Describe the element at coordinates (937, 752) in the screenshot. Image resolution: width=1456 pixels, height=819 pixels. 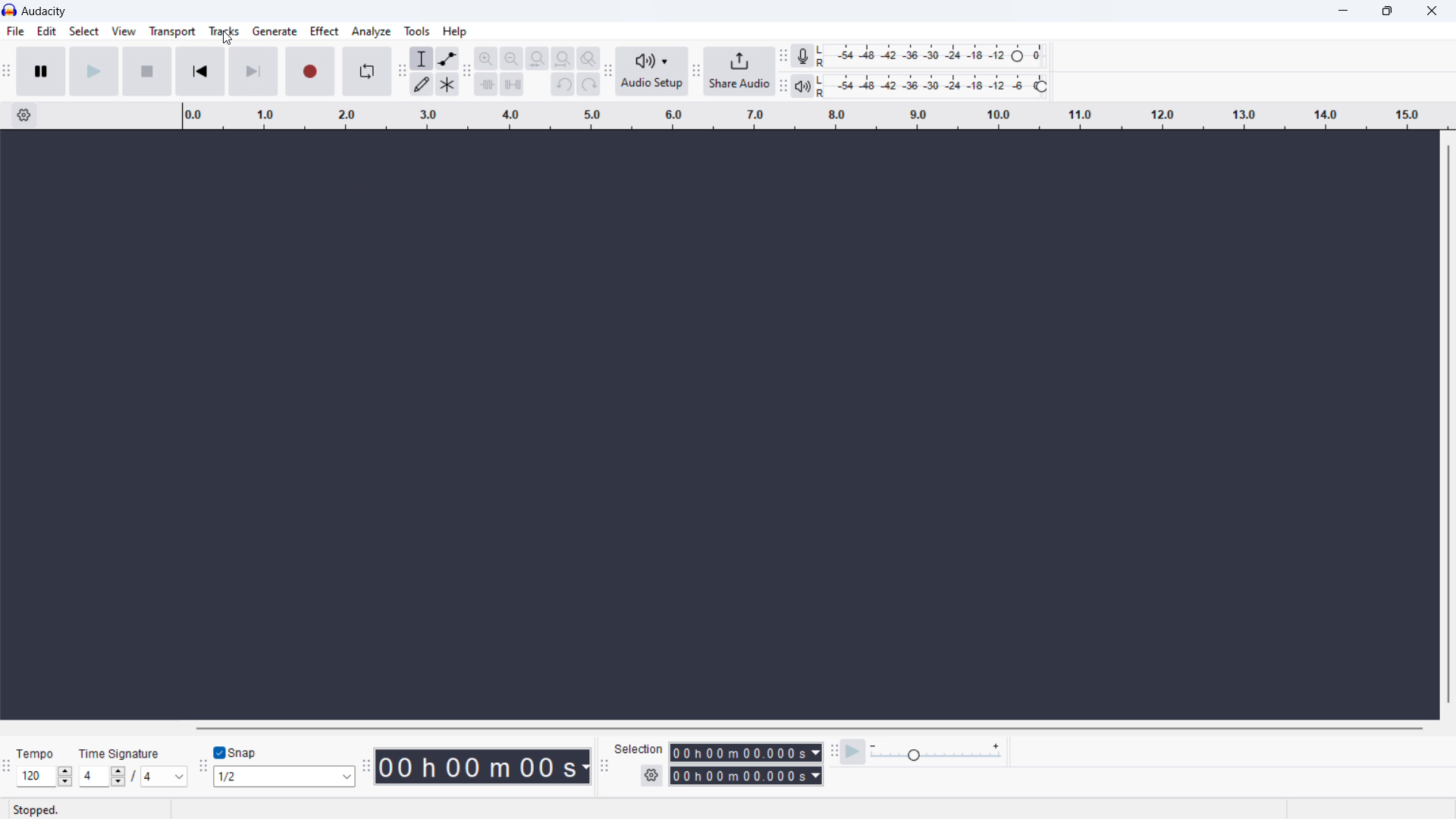
I see `playback speed` at that location.